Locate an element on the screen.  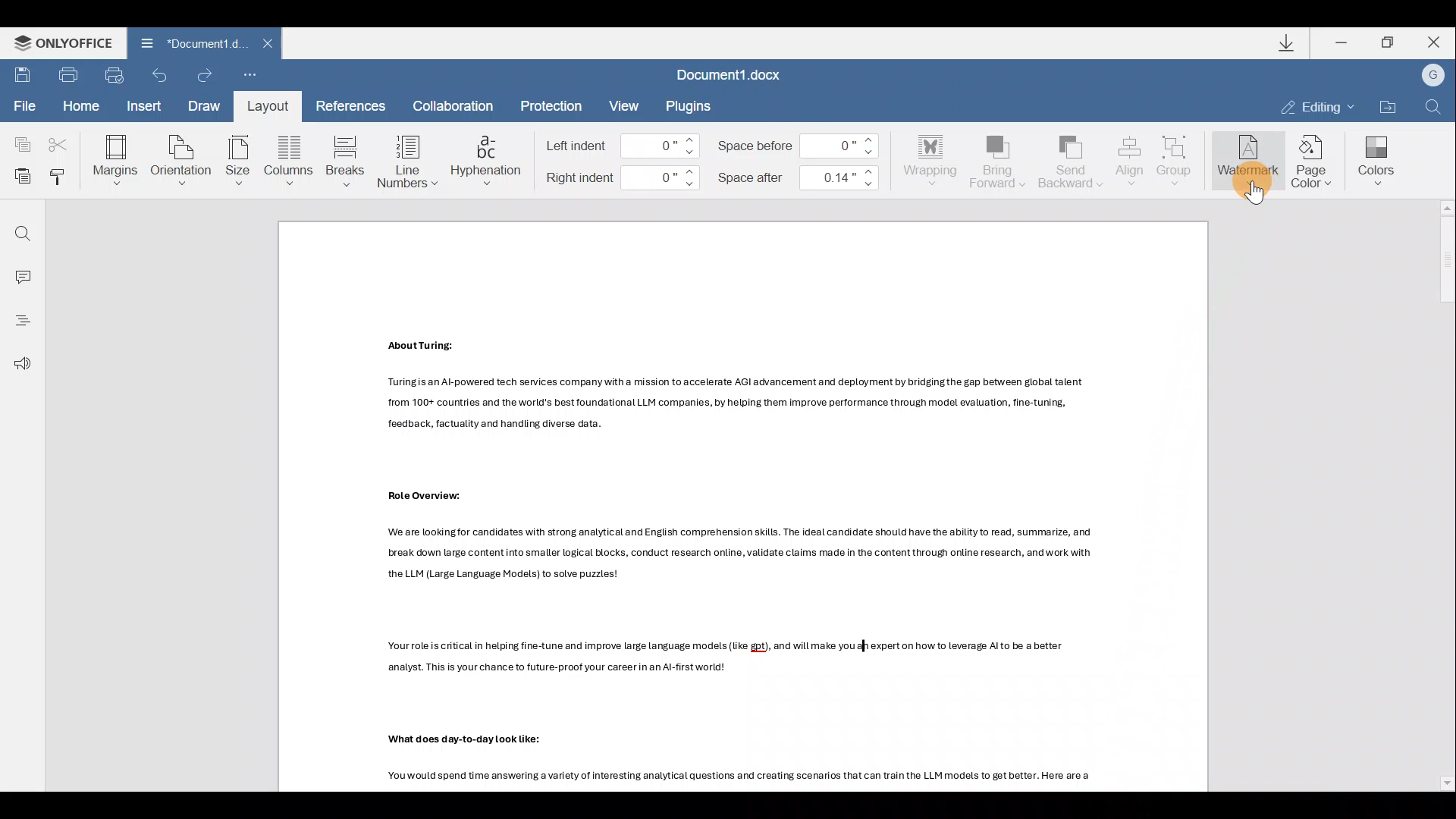
pointer cursor is located at coordinates (1248, 193).